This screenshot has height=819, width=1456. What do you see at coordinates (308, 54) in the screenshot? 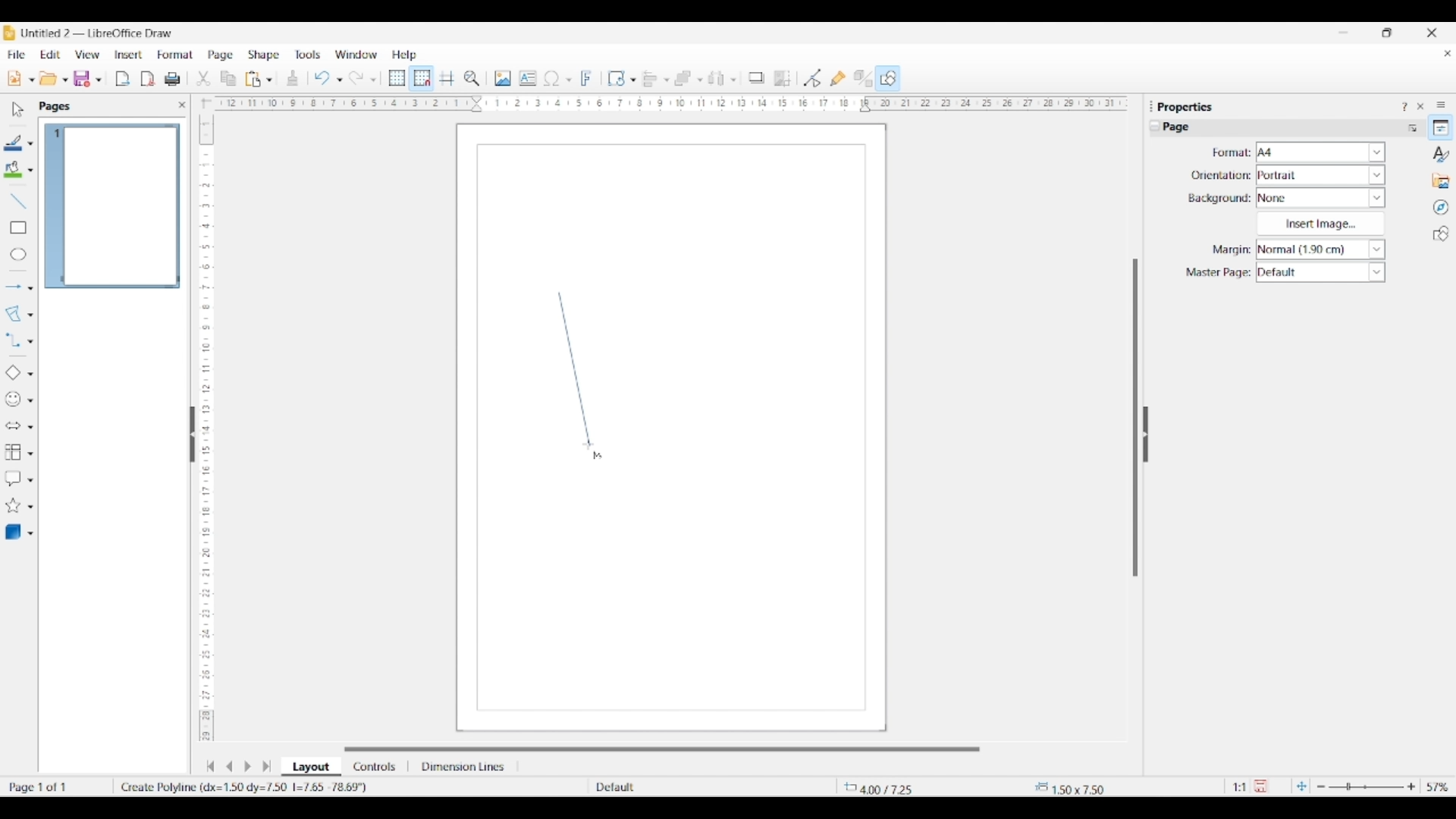
I see `Tools` at bounding box center [308, 54].